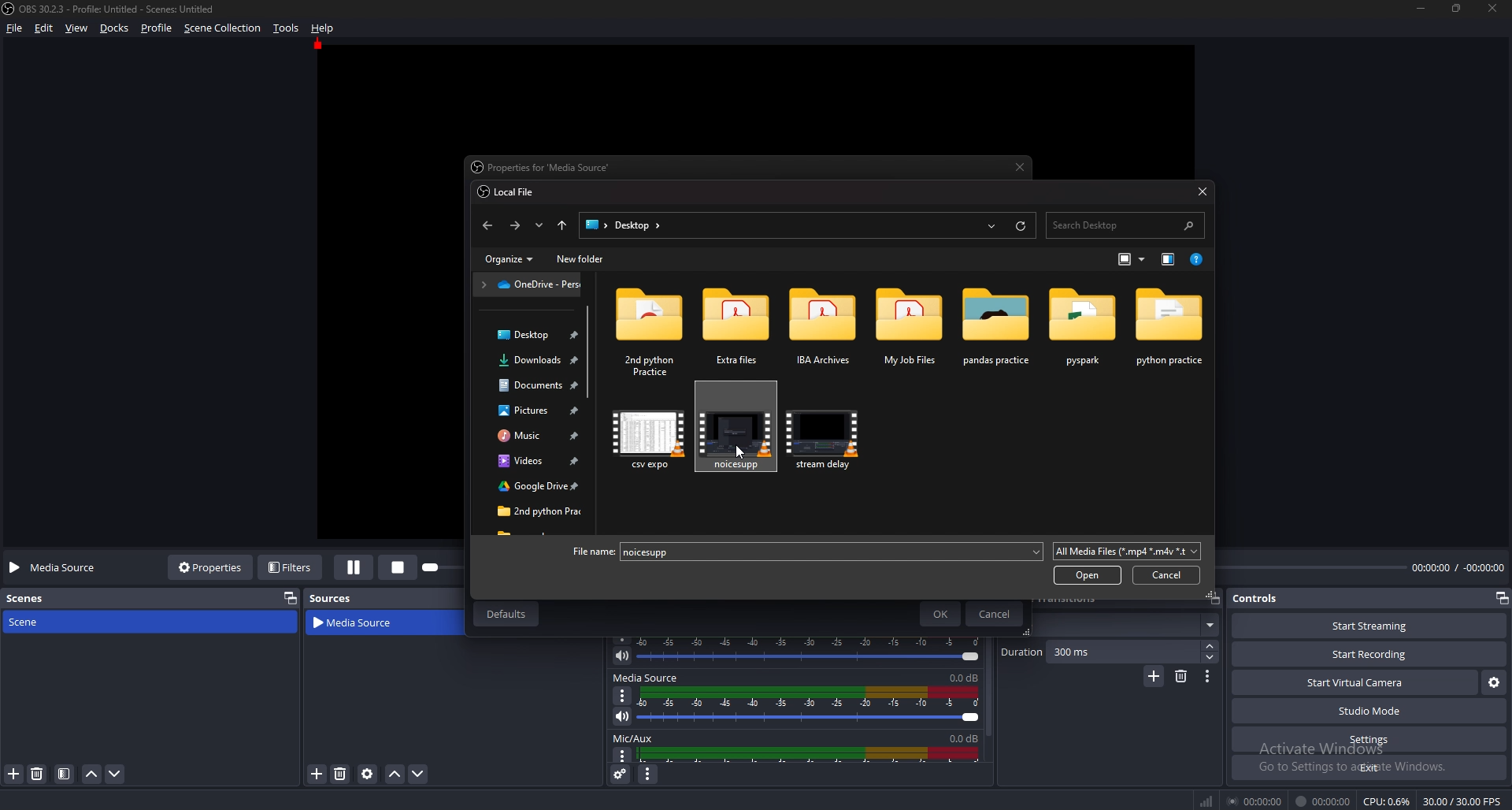  What do you see at coordinates (621, 756) in the screenshot?
I see `mic/aux properties` at bounding box center [621, 756].